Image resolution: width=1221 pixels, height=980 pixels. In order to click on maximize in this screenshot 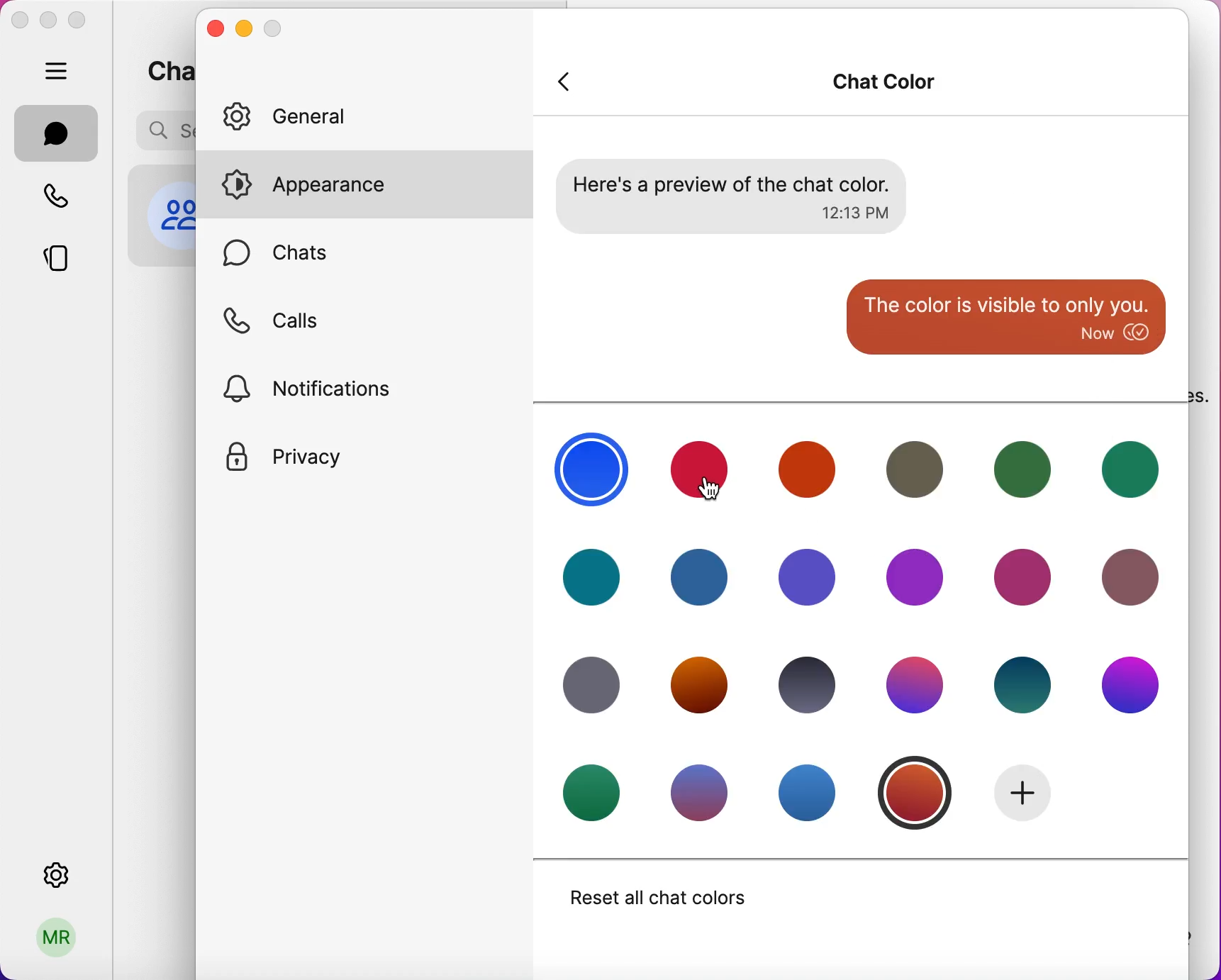, I will do `click(273, 30)`.